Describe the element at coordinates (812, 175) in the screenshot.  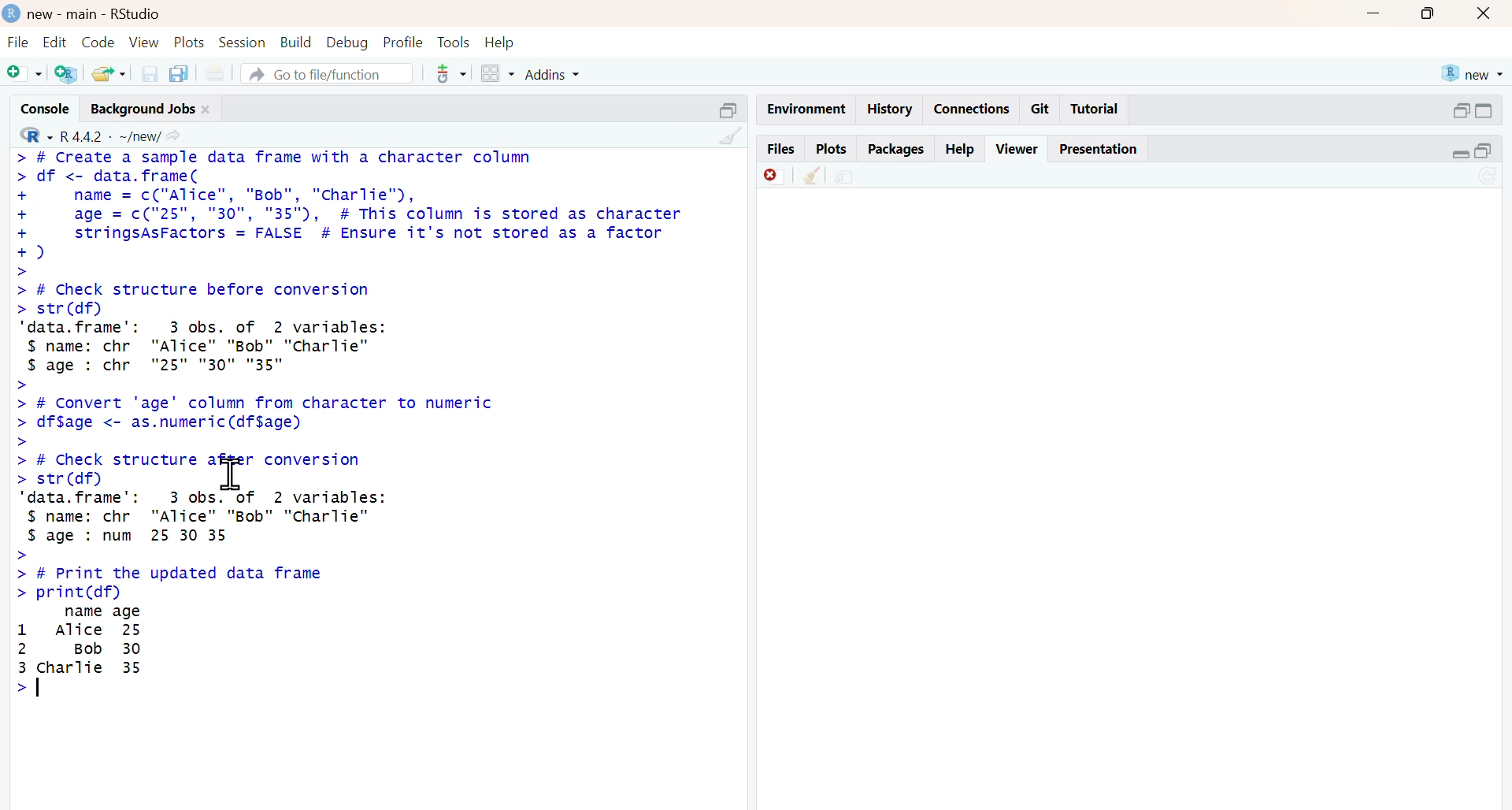
I see `Clean ` at that location.